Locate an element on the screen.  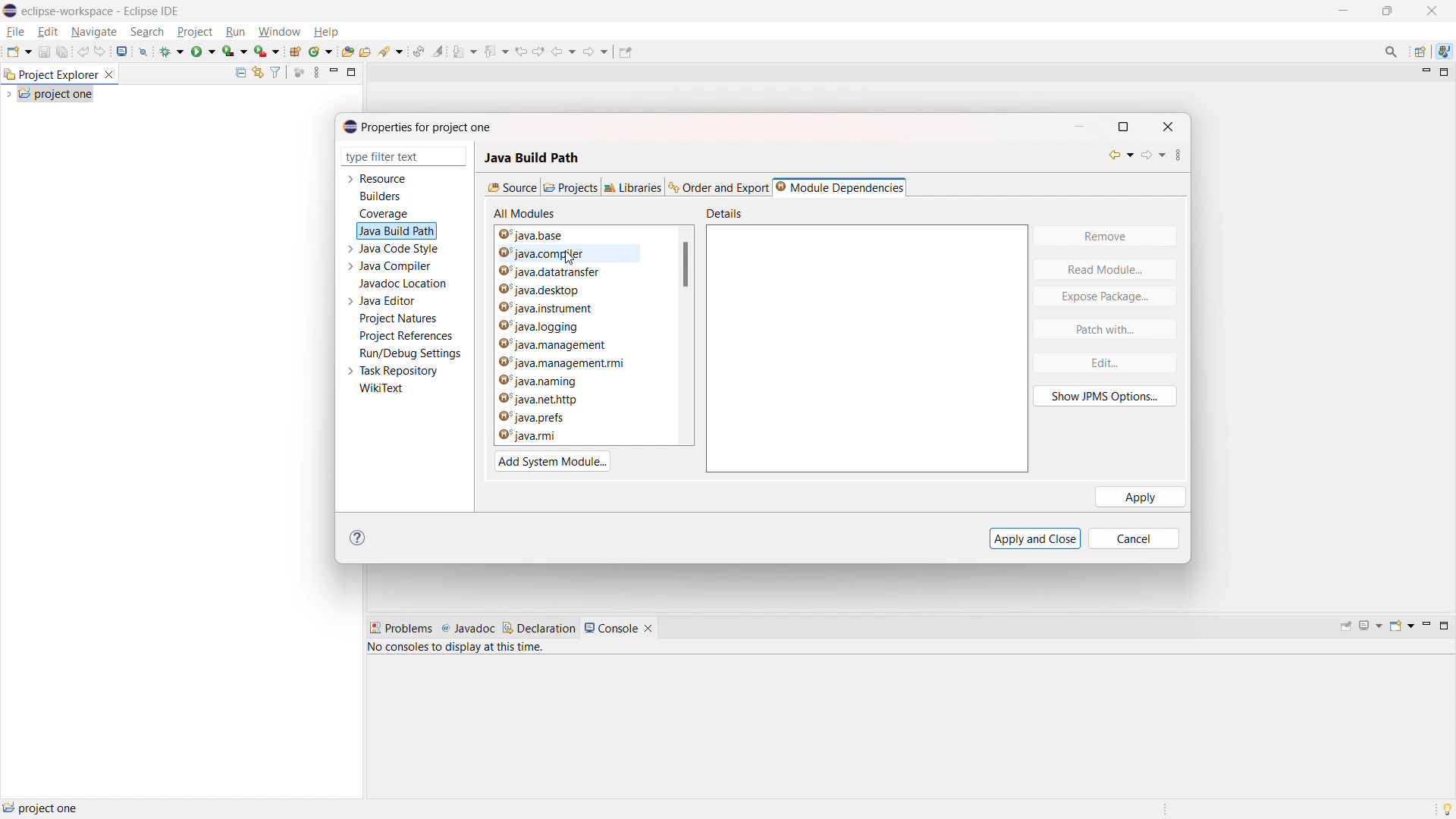
minimize is located at coordinates (1388, 11).